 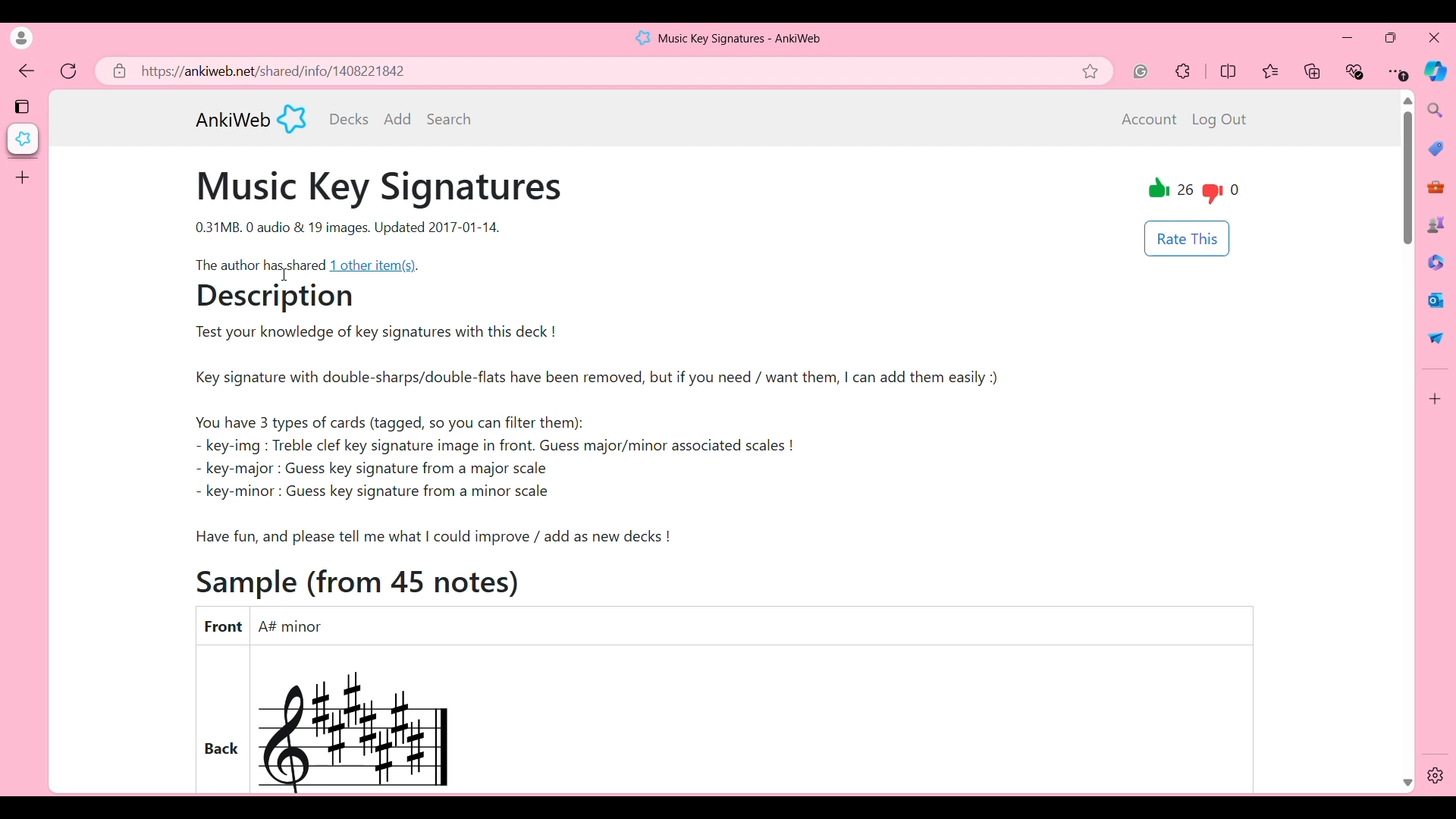 I want to click on Quick slide to bottom, so click(x=1407, y=779).